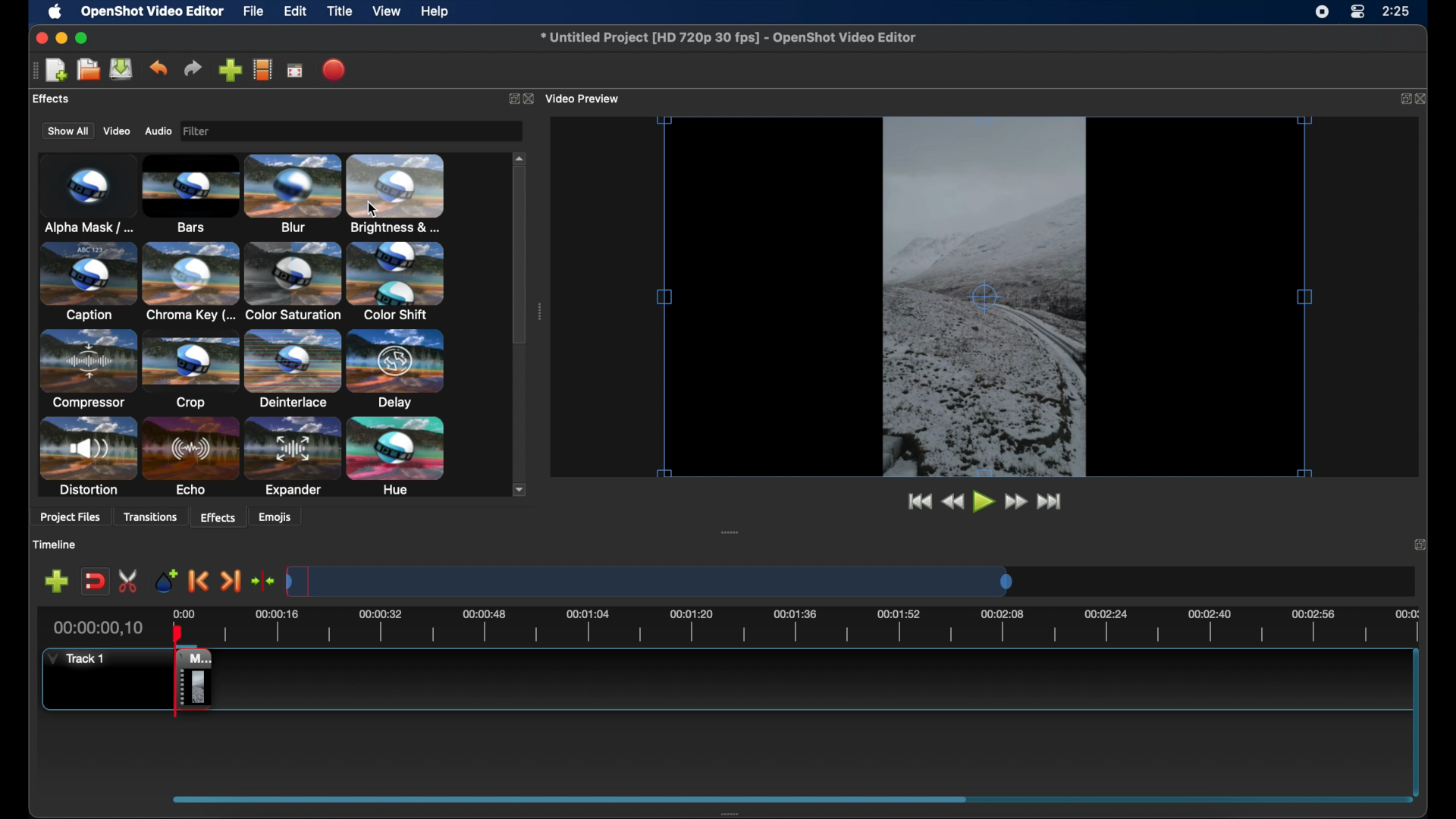 The image size is (1456, 819). Describe the element at coordinates (38, 38) in the screenshot. I see `close` at that location.